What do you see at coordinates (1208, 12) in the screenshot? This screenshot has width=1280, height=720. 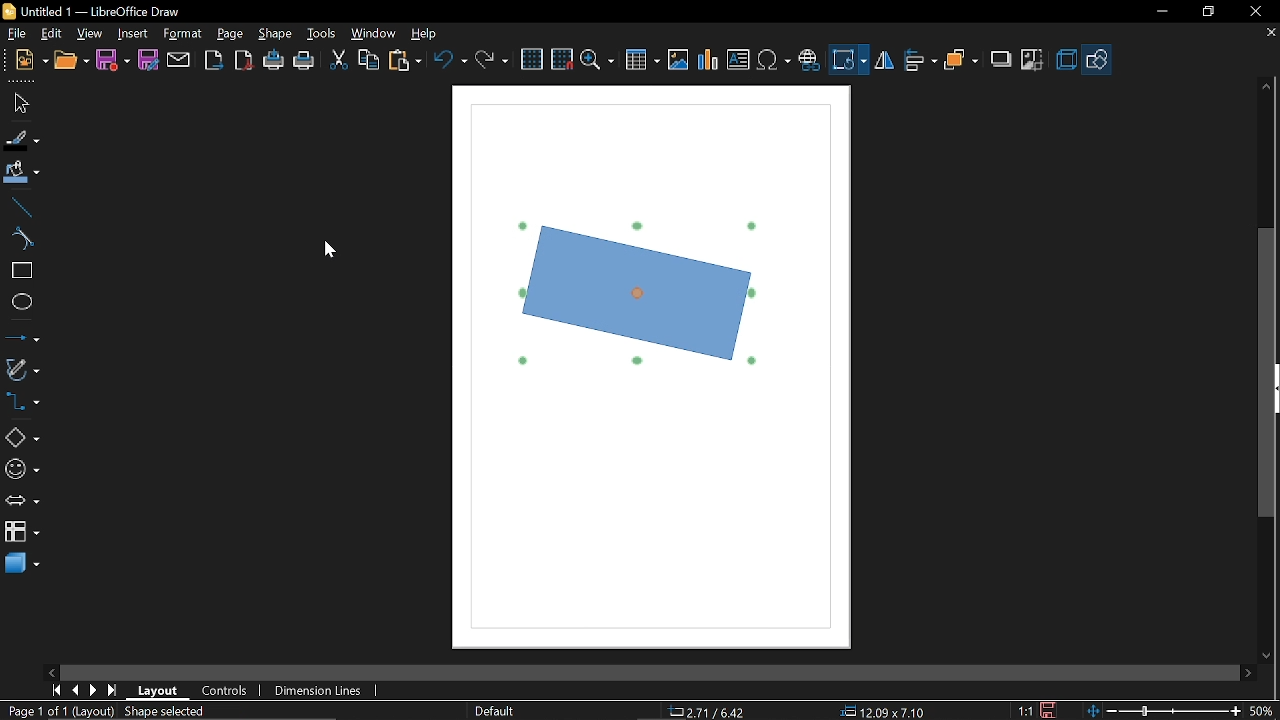 I see `restore down` at bounding box center [1208, 12].